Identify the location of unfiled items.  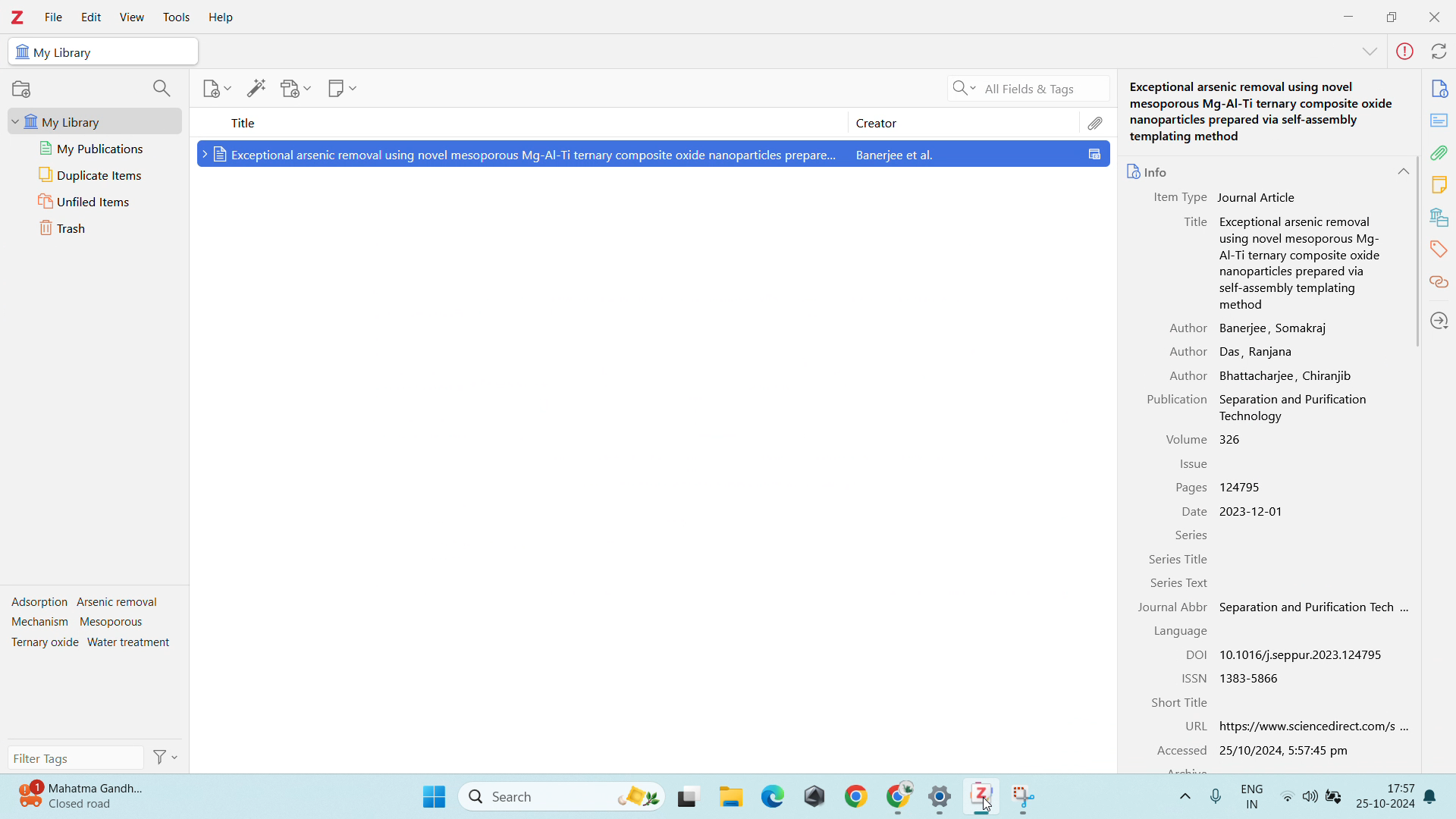
(94, 201).